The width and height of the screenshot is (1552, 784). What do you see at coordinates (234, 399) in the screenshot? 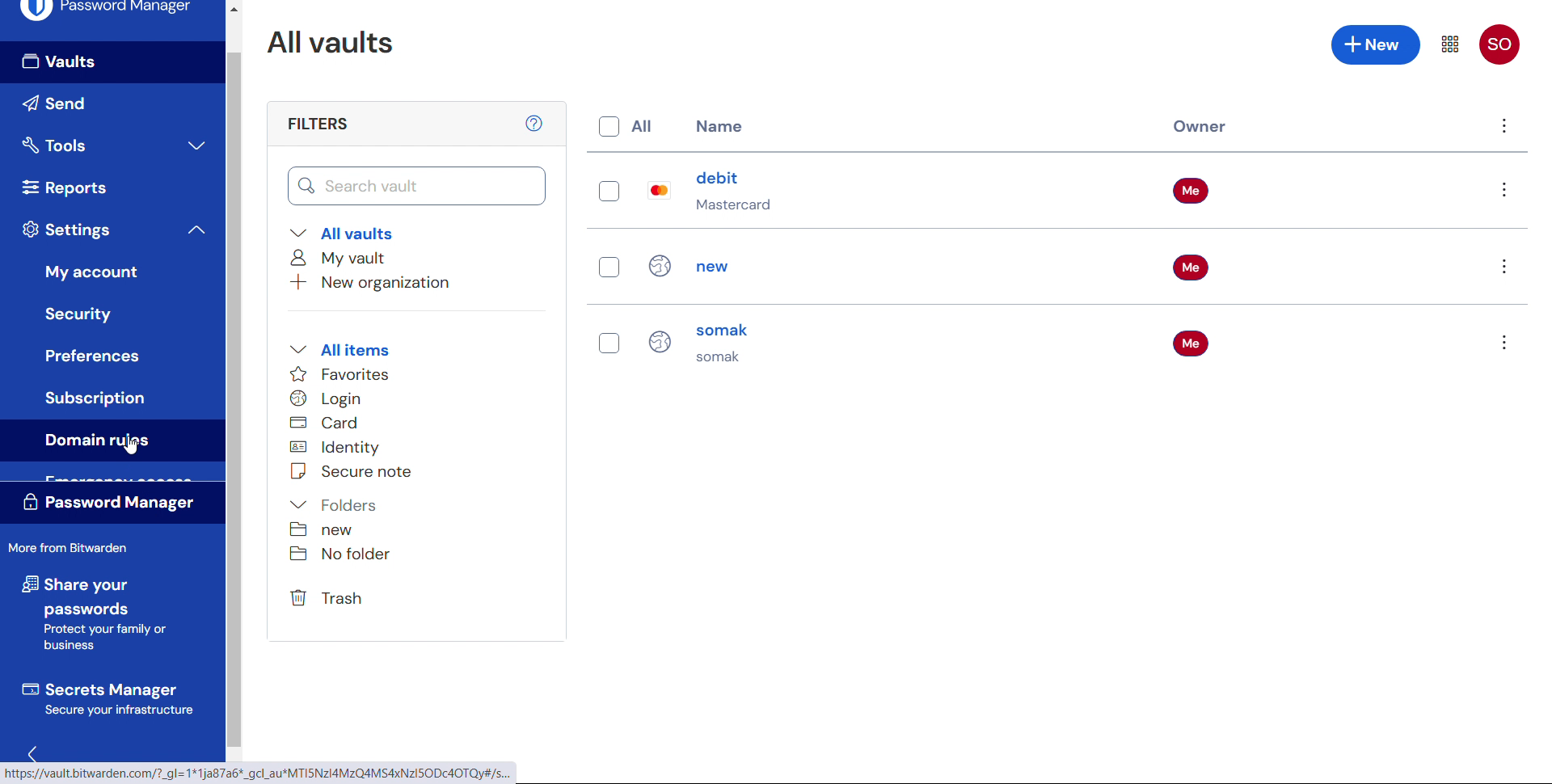
I see `Scroll bar ` at bounding box center [234, 399].